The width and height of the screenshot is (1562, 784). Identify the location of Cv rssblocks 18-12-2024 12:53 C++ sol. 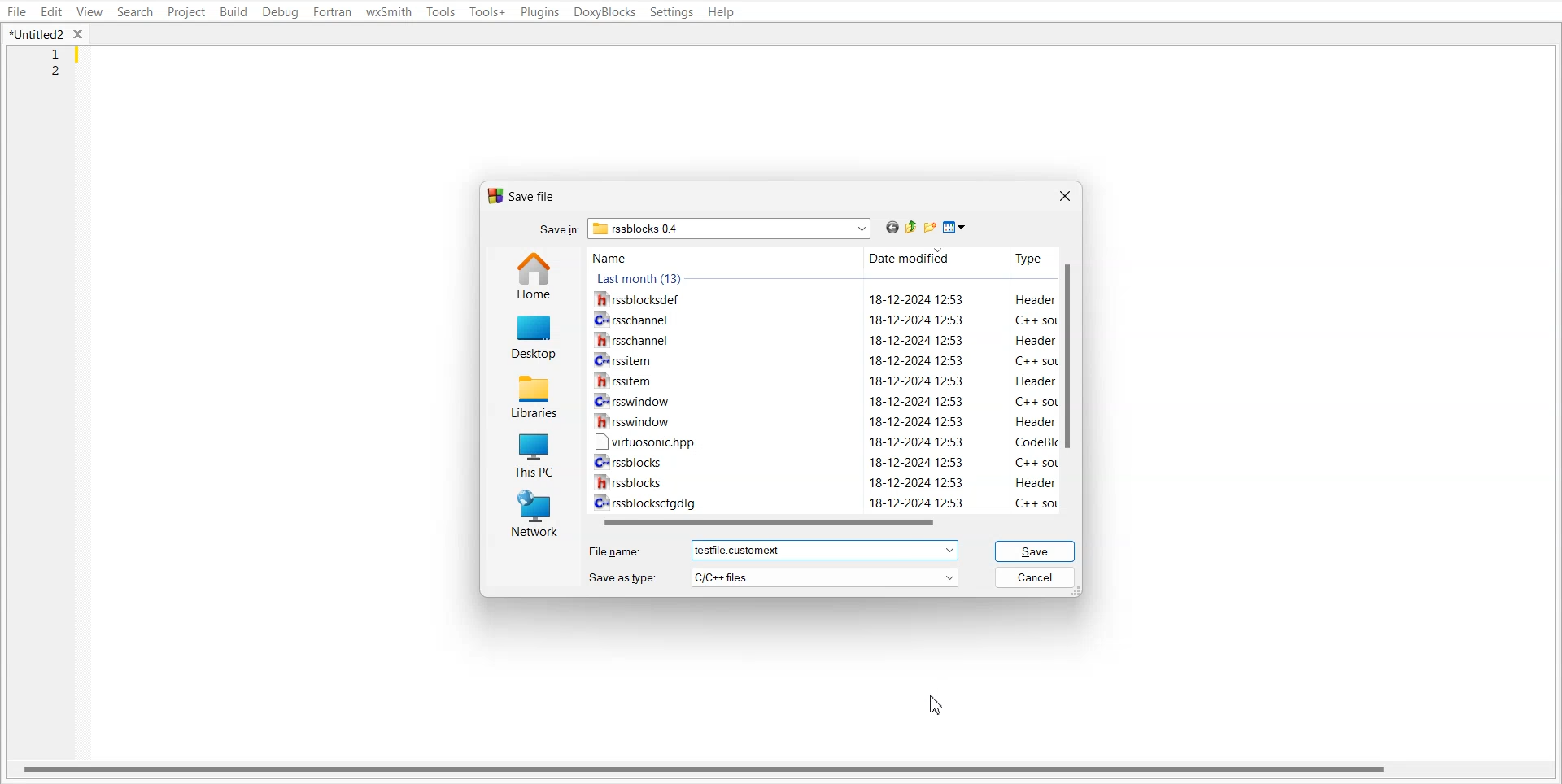
(827, 461).